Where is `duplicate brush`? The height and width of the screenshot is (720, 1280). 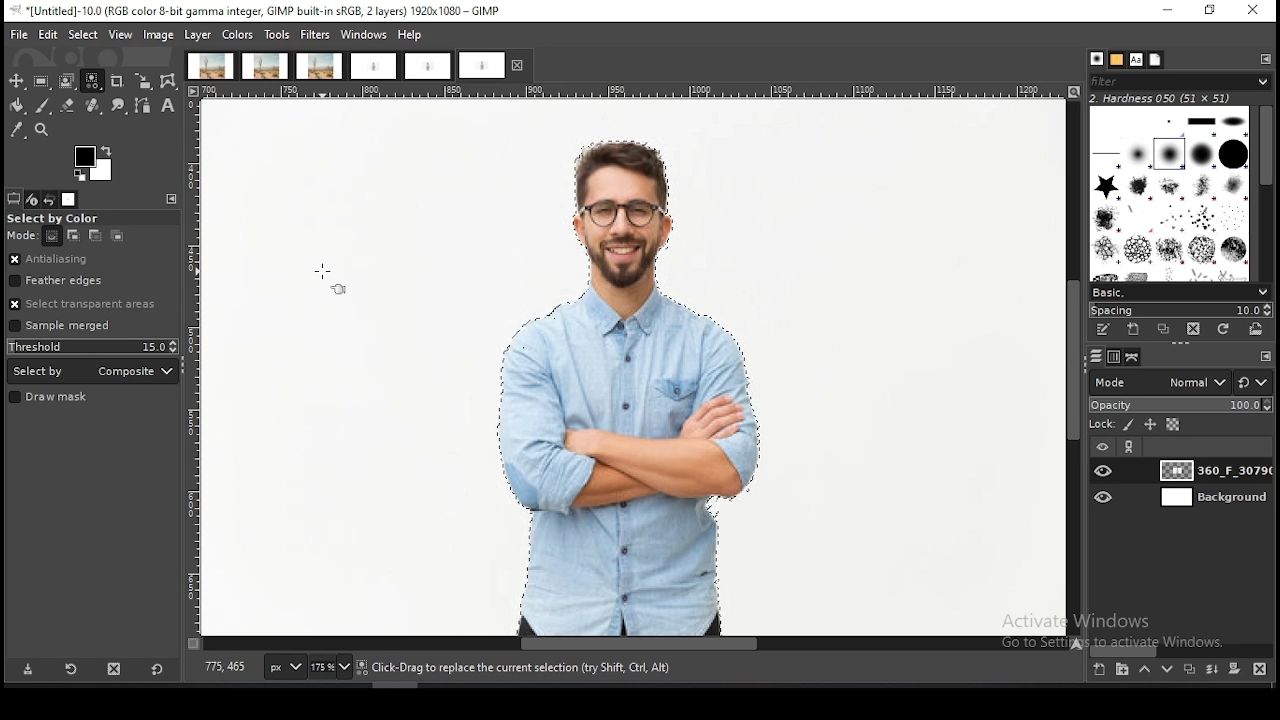
duplicate brush is located at coordinates (1165, 331).